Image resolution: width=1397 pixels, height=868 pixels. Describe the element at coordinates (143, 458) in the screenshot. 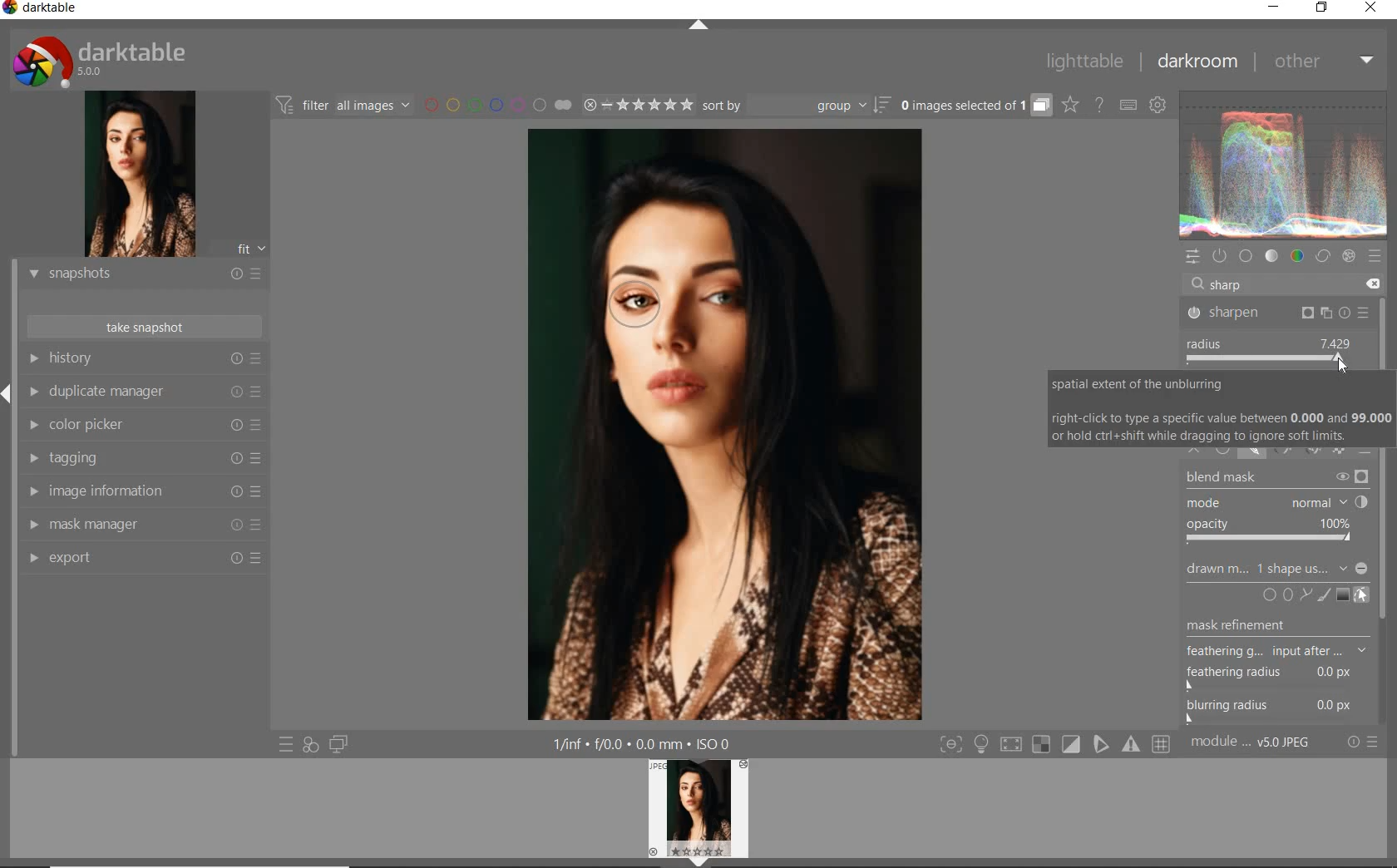

I see `tagging` at that location.